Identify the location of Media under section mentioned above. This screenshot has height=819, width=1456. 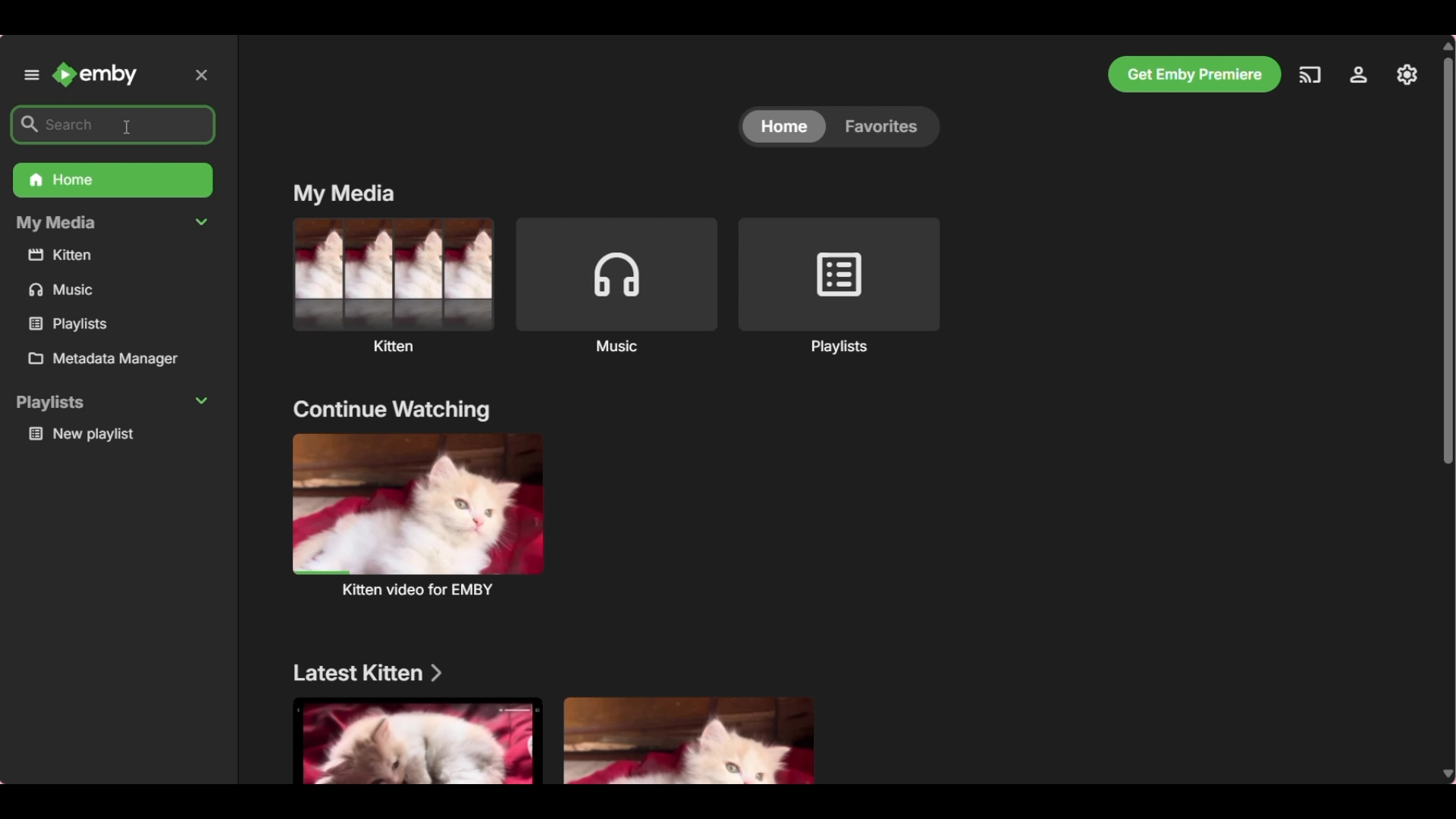
(417, 742).